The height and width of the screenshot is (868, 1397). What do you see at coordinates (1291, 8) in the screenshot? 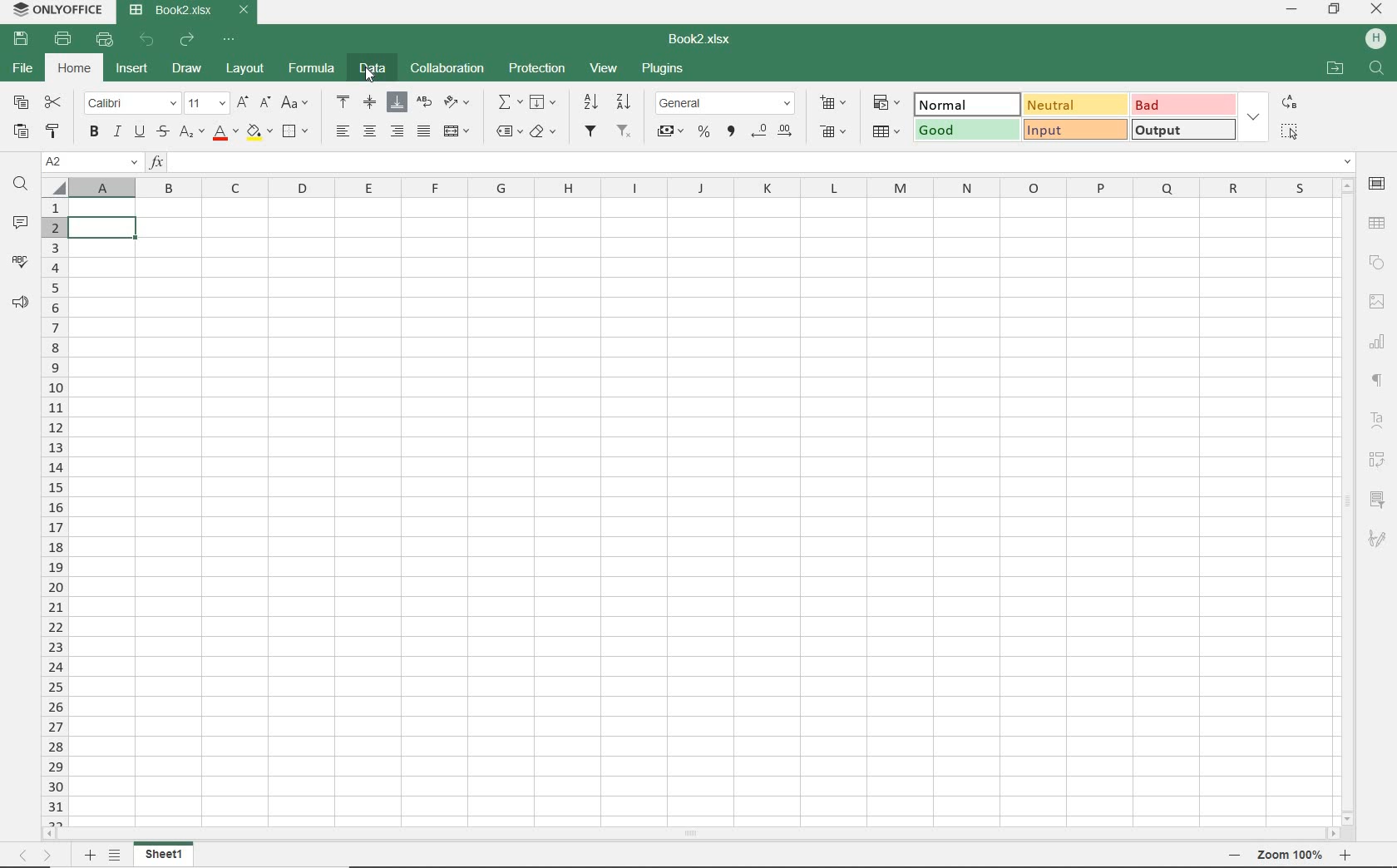
I see `MINIMIZE` at bounding box center [1291, 8].